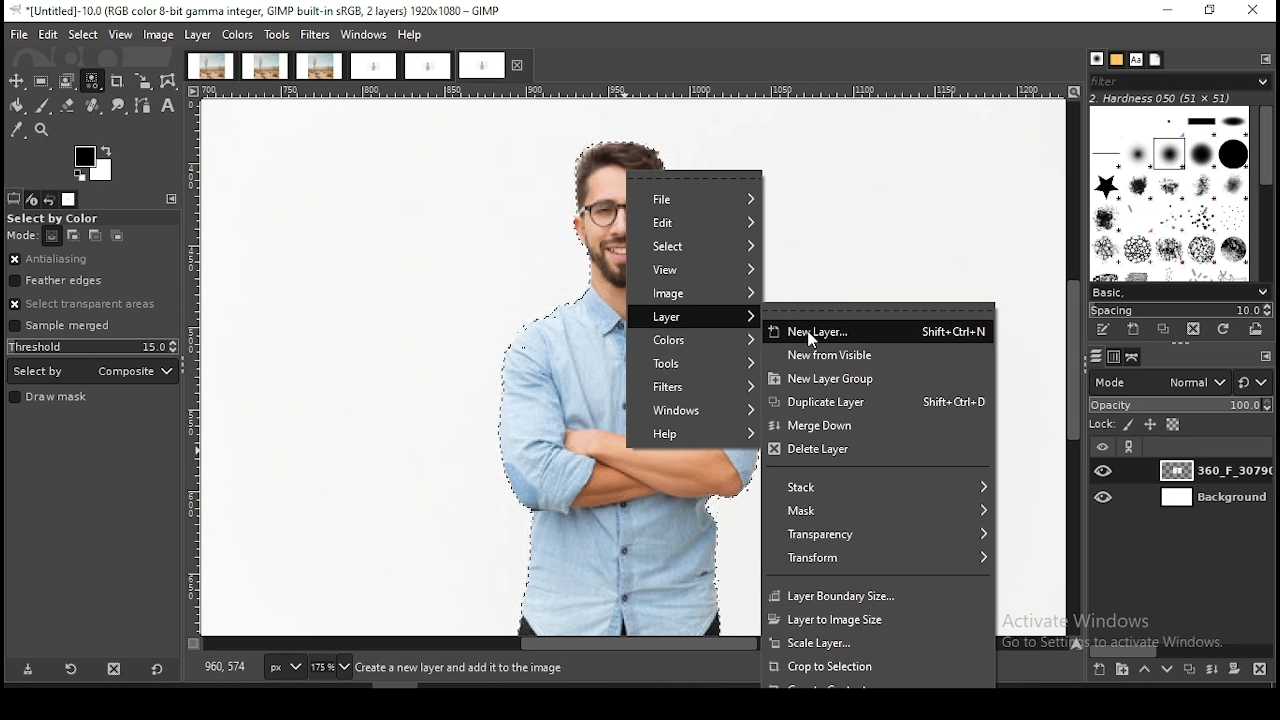  I want to click on colors, so click(694, 339).